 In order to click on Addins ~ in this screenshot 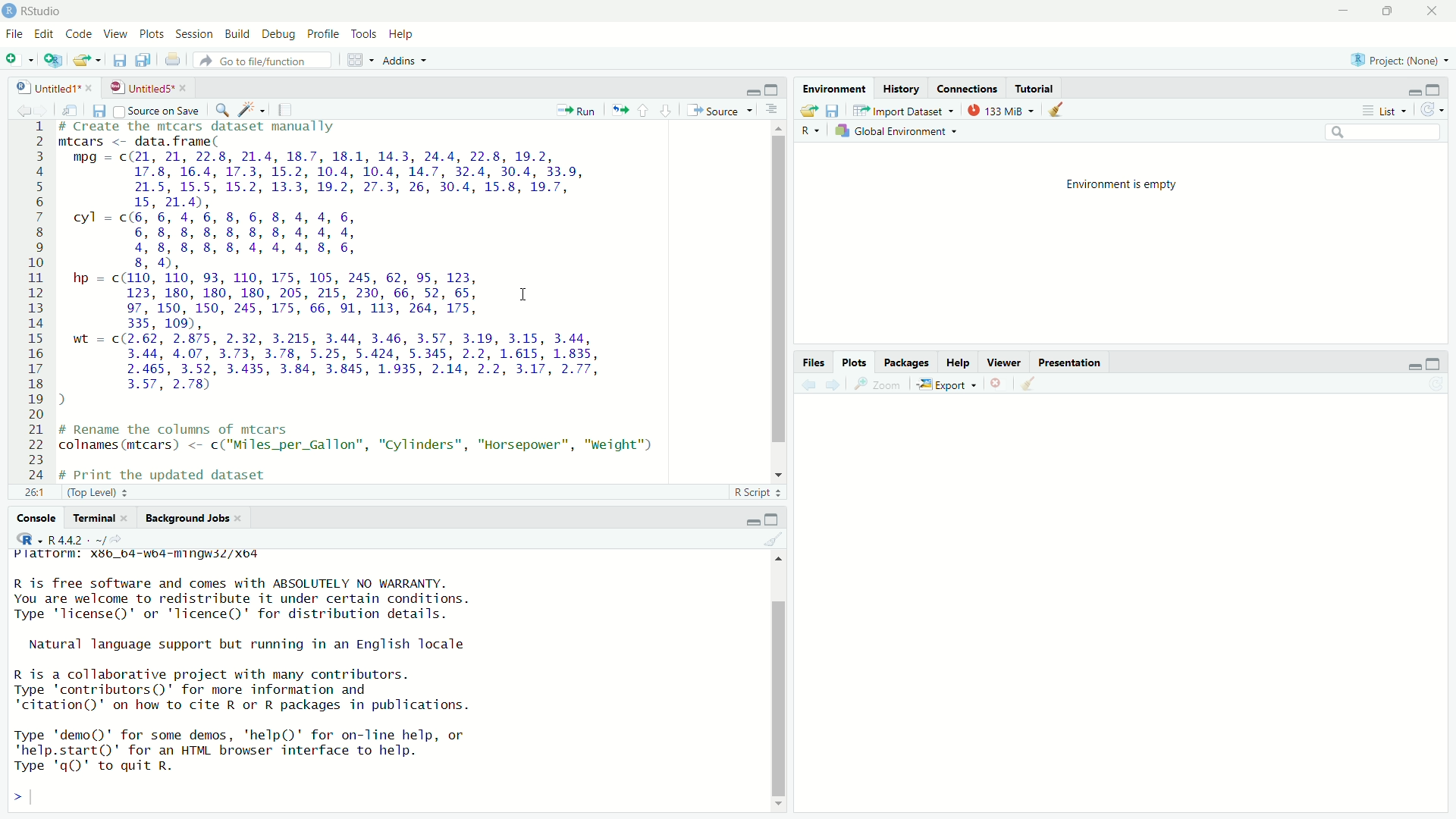, I will do `click(404, 62)`.